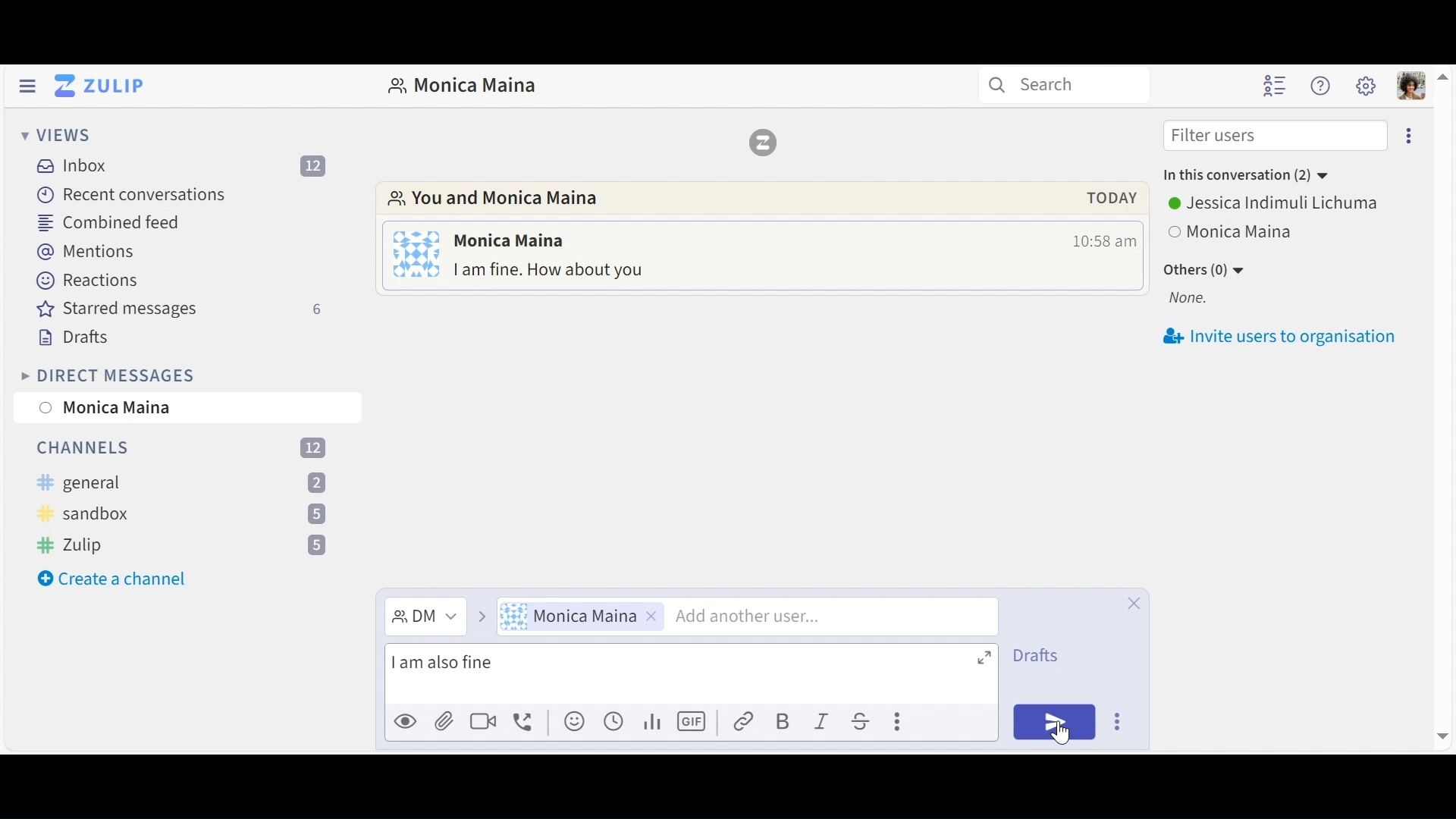 The width and height of the screenshot is (1456, 819). Describe the element at coordinates (486, 719) in the screenshot. I see `Add video call` at that location.